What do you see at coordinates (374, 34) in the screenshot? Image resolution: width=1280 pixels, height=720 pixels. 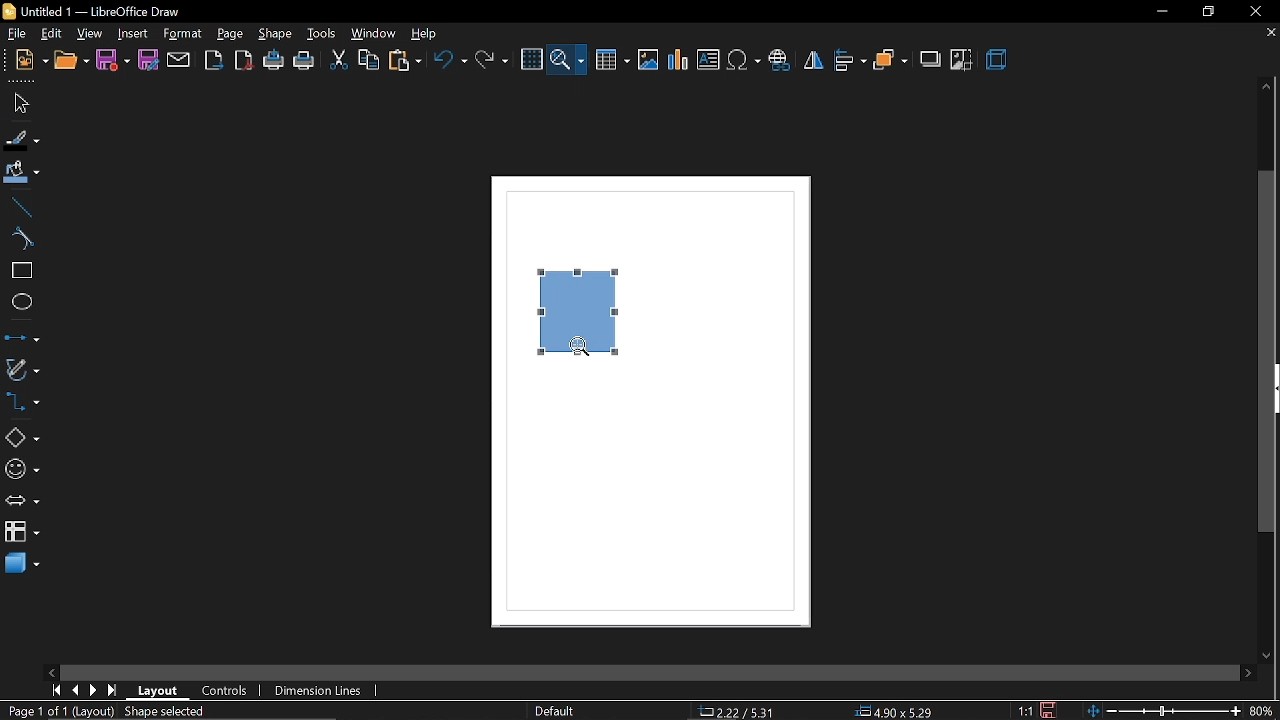 I see `window` at bounding box center [374, 34].